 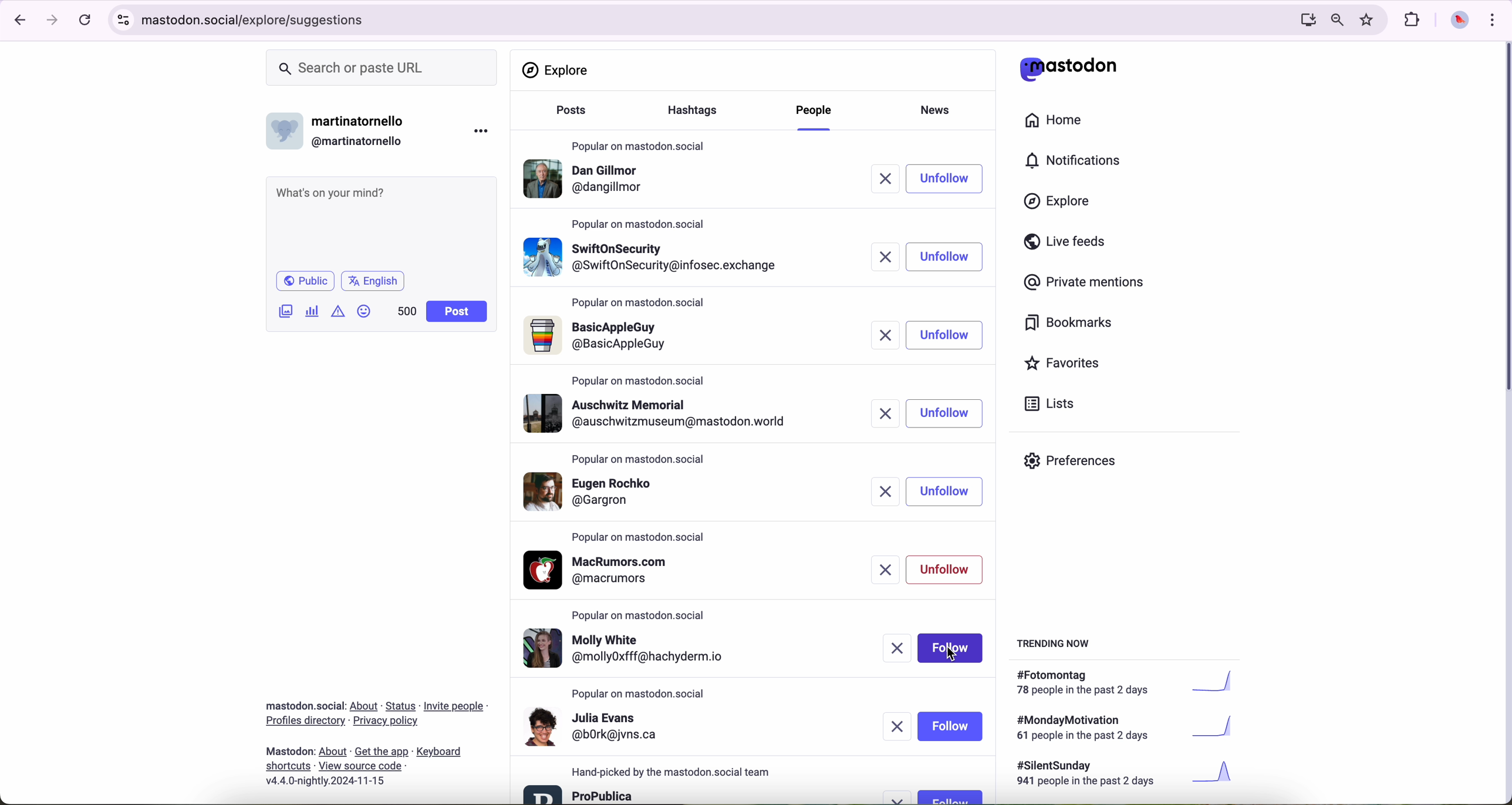 What do you see at coordinates (1456, 21) in the screenshot?
I see `profile picture` at bounding box center [1456, 21].